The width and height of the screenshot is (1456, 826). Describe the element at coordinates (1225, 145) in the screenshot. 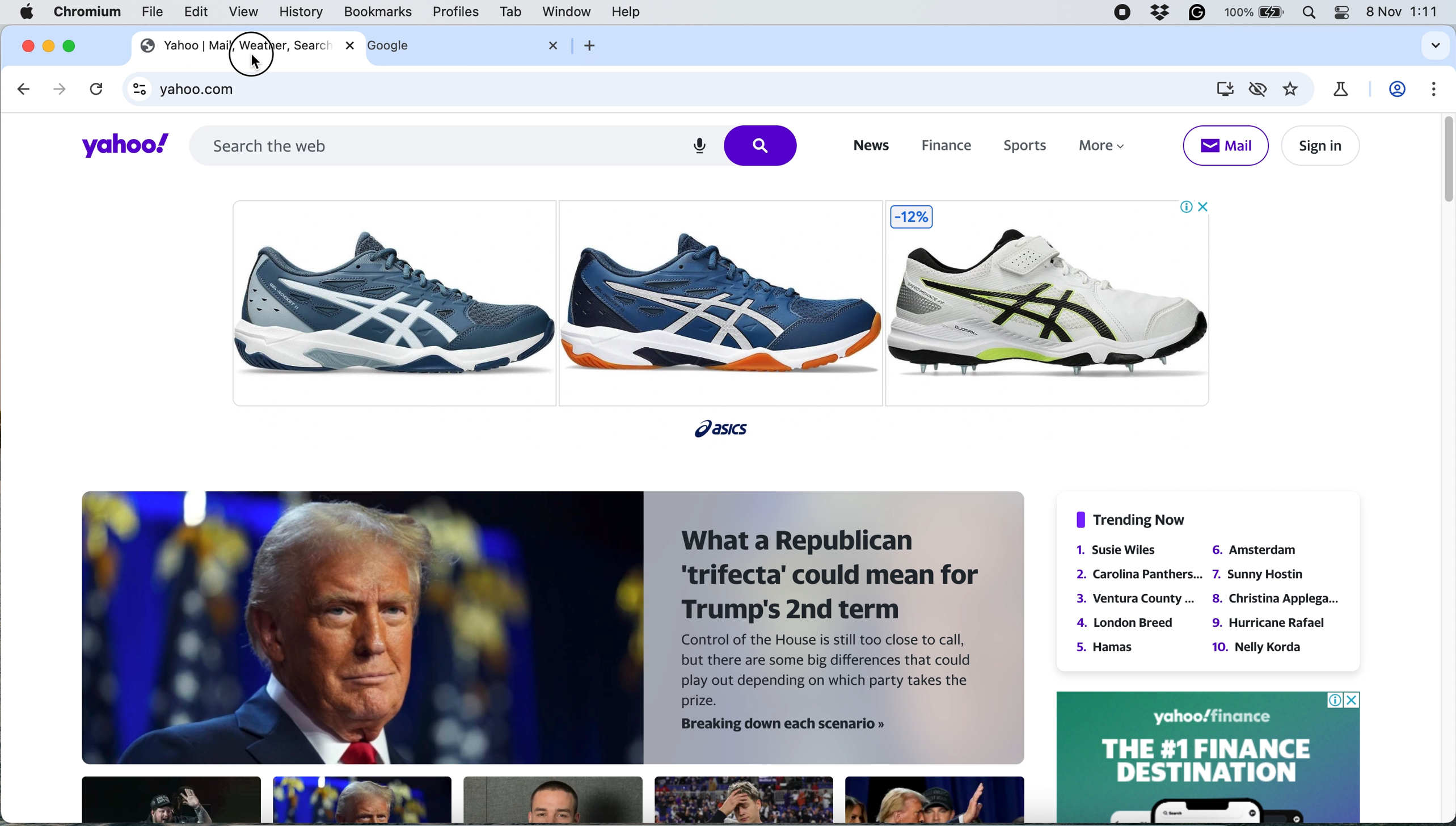

I see `mail` at that location.